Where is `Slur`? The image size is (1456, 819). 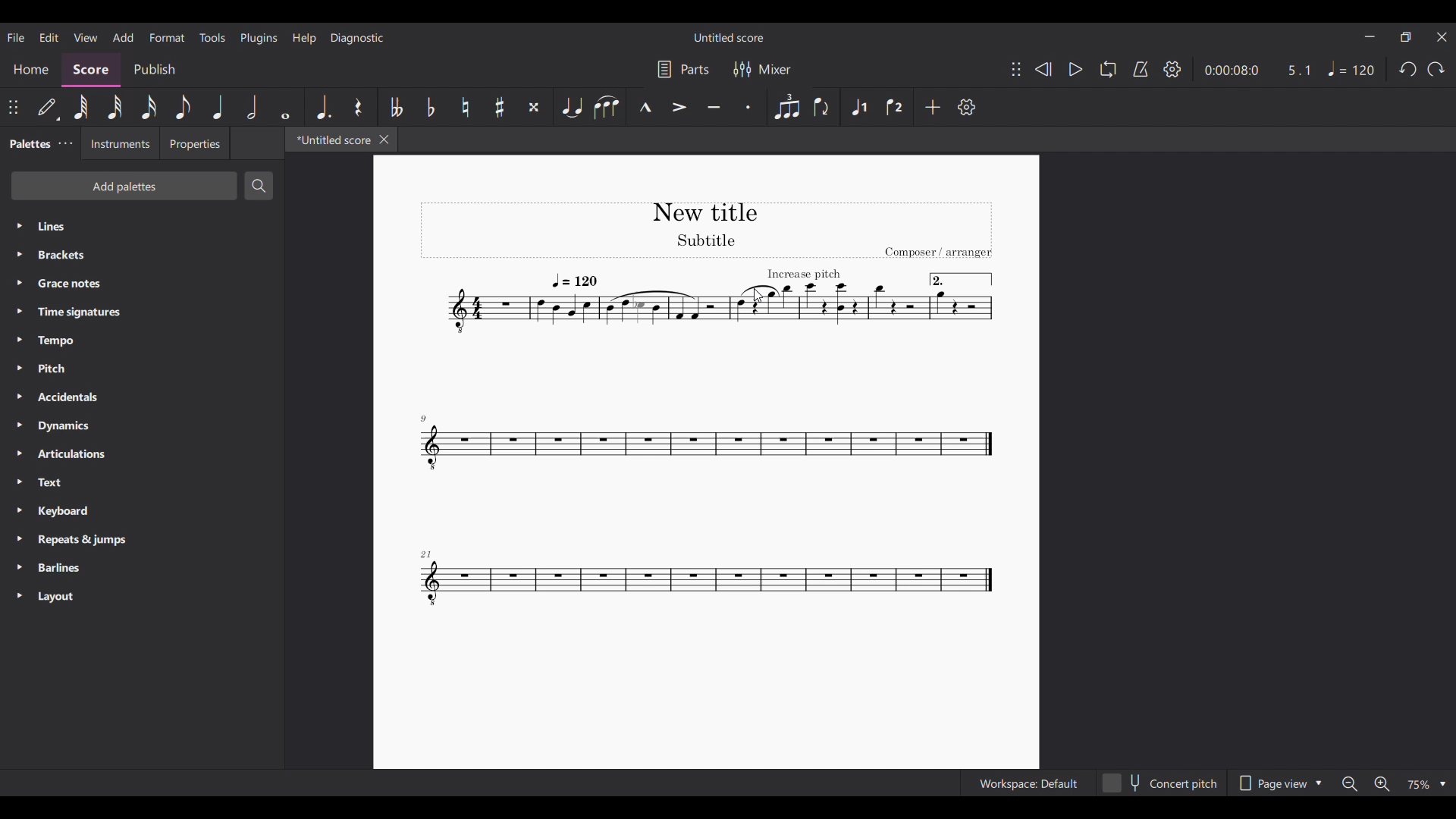
Slur is located at coordinates (607, 107).